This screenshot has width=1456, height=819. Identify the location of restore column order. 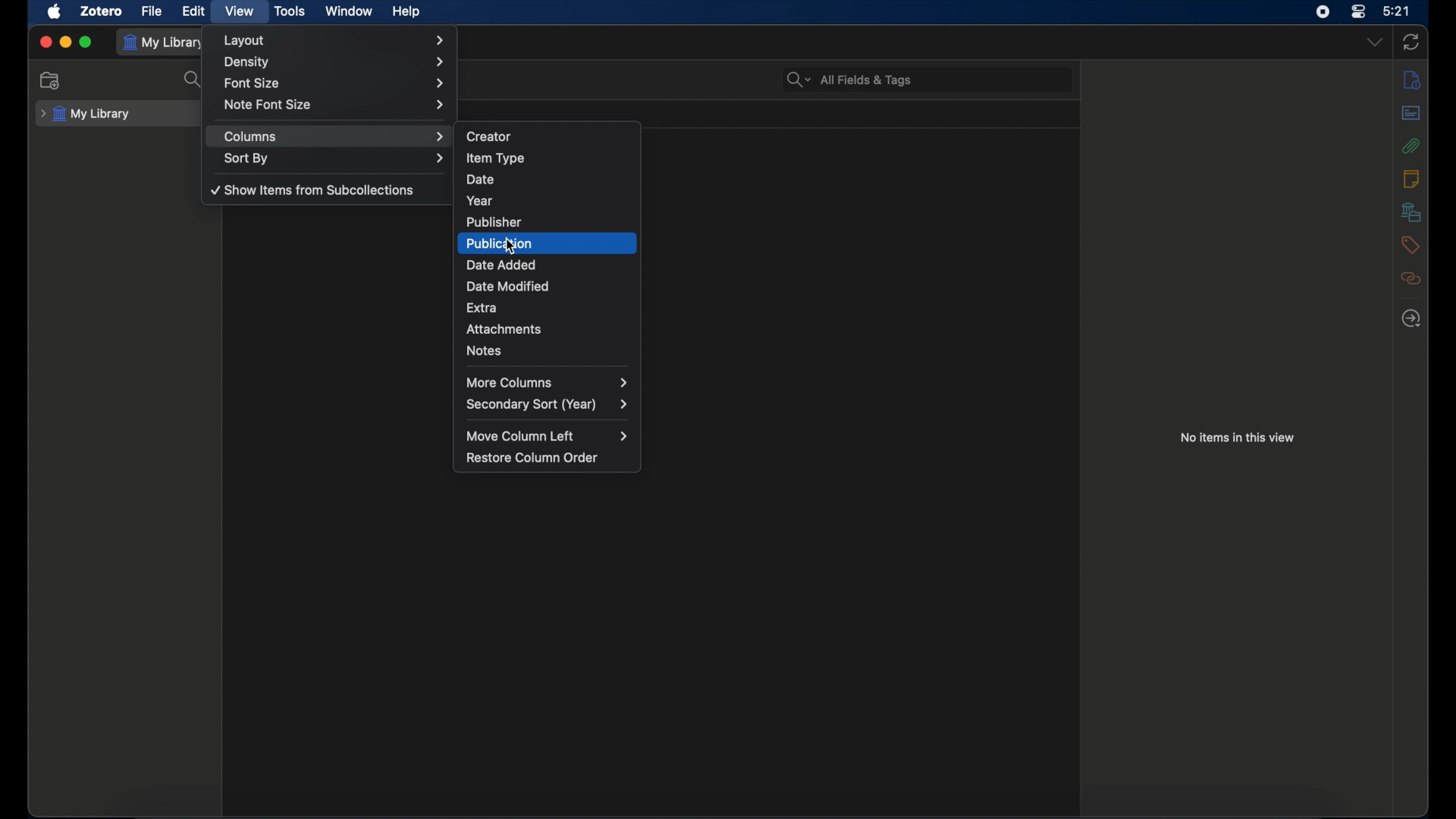
(532, 458).